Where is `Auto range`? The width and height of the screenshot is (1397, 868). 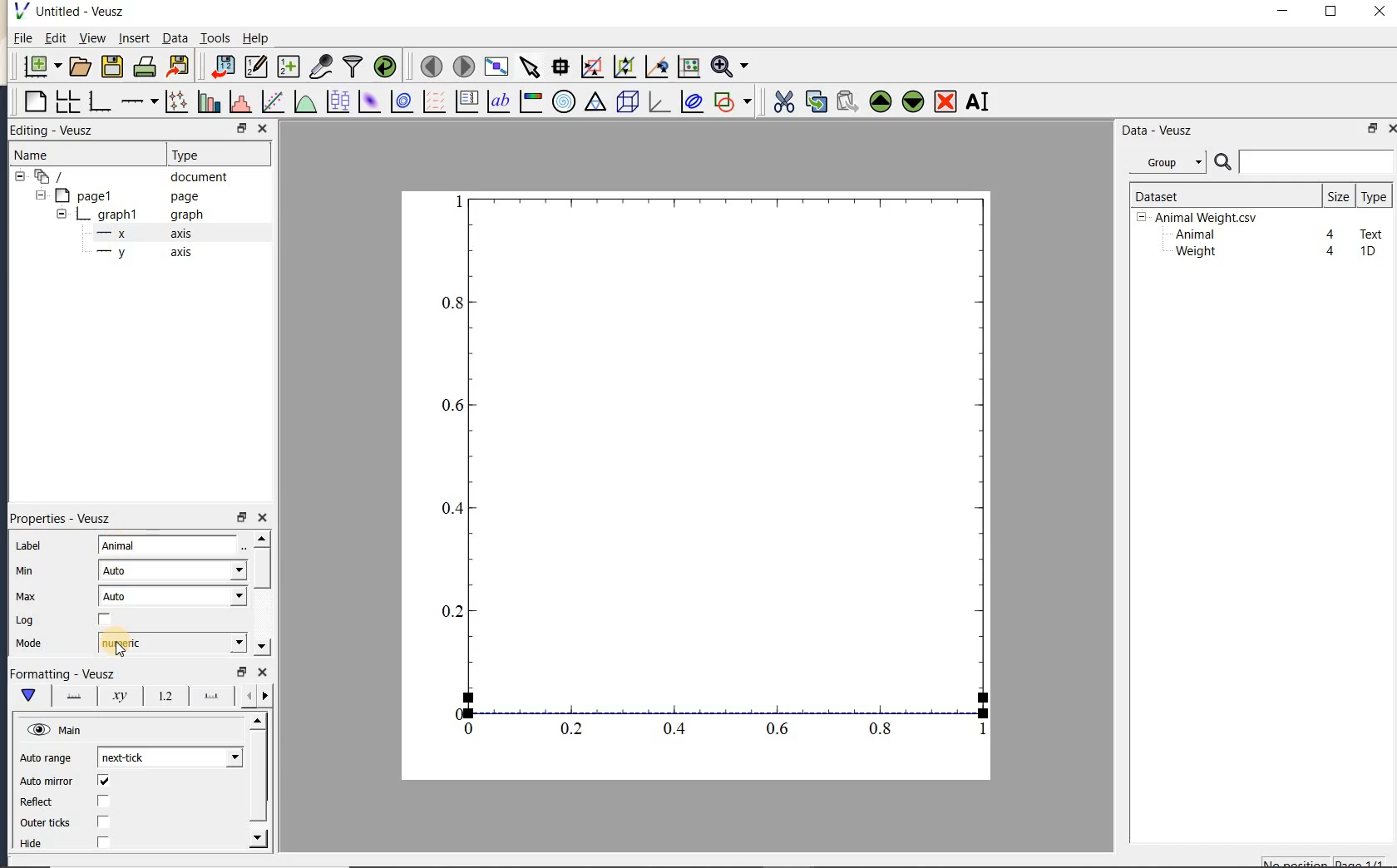 Auto range is located at coordinates (46, 758).